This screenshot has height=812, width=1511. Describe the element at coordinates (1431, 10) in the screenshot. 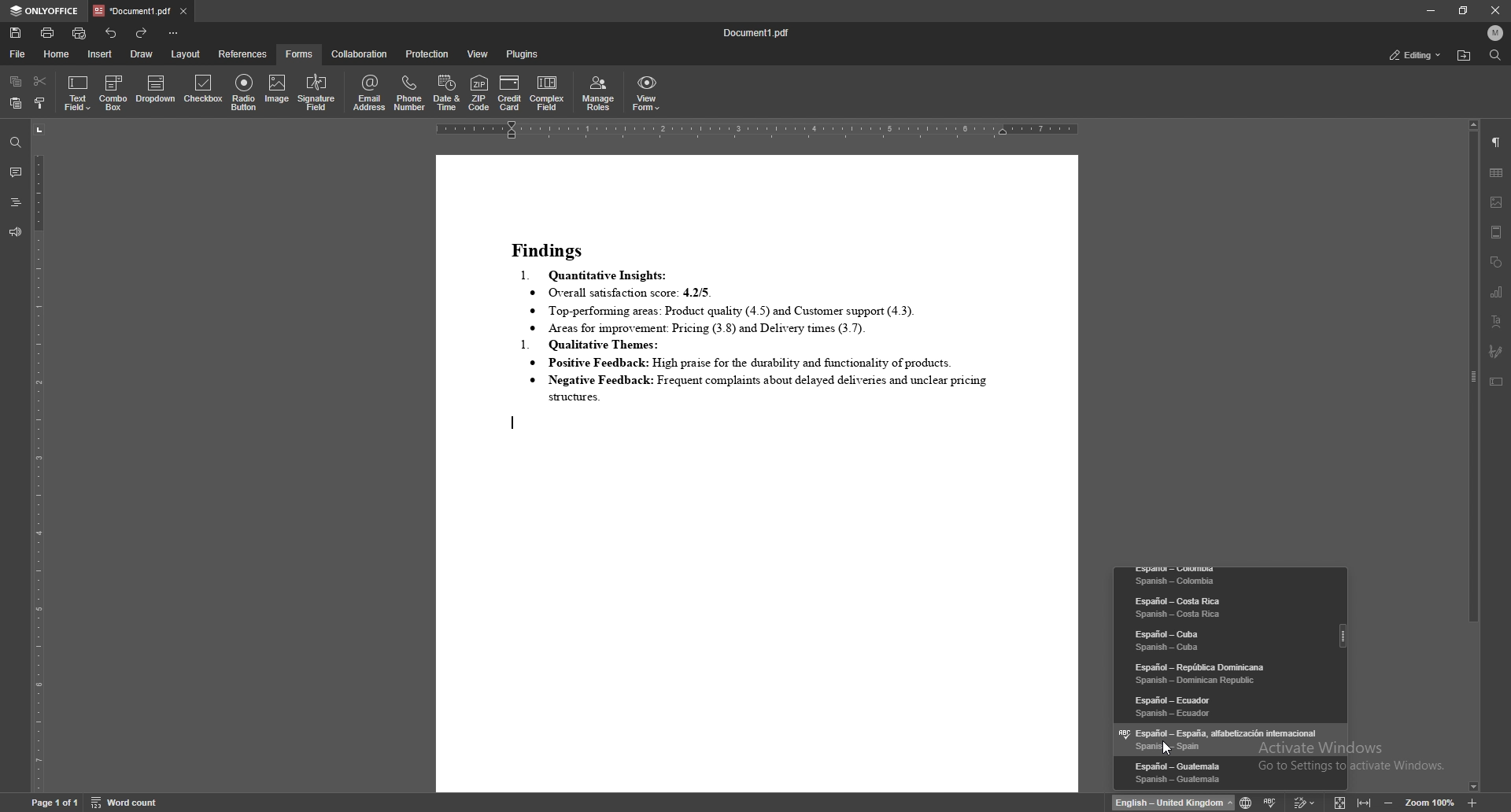

I see `minimize` at that location.